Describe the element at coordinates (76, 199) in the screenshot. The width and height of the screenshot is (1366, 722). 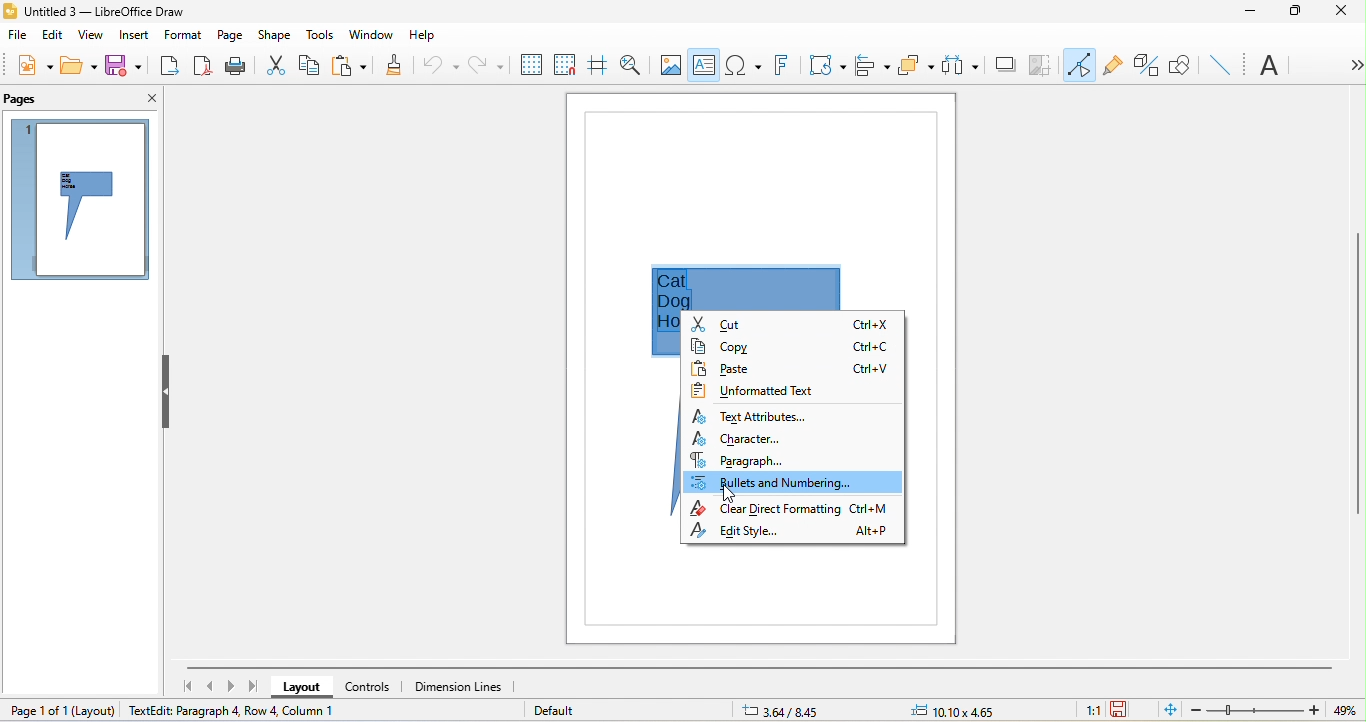
I see `page 1` at that location.